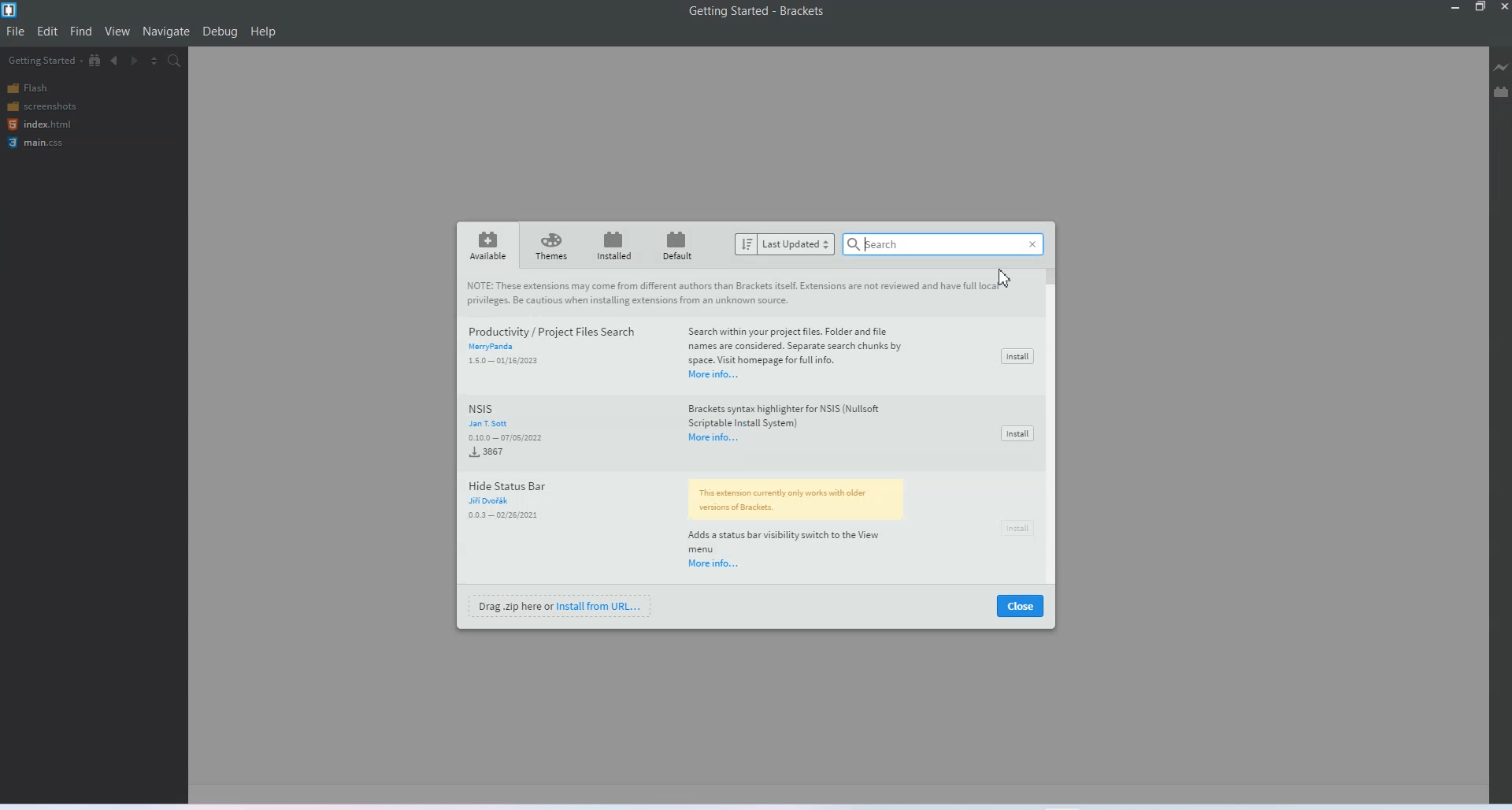  What do you see at coordinates (715, 439) in the screenshot?
I see `More info` at bounding box center [715, 439].